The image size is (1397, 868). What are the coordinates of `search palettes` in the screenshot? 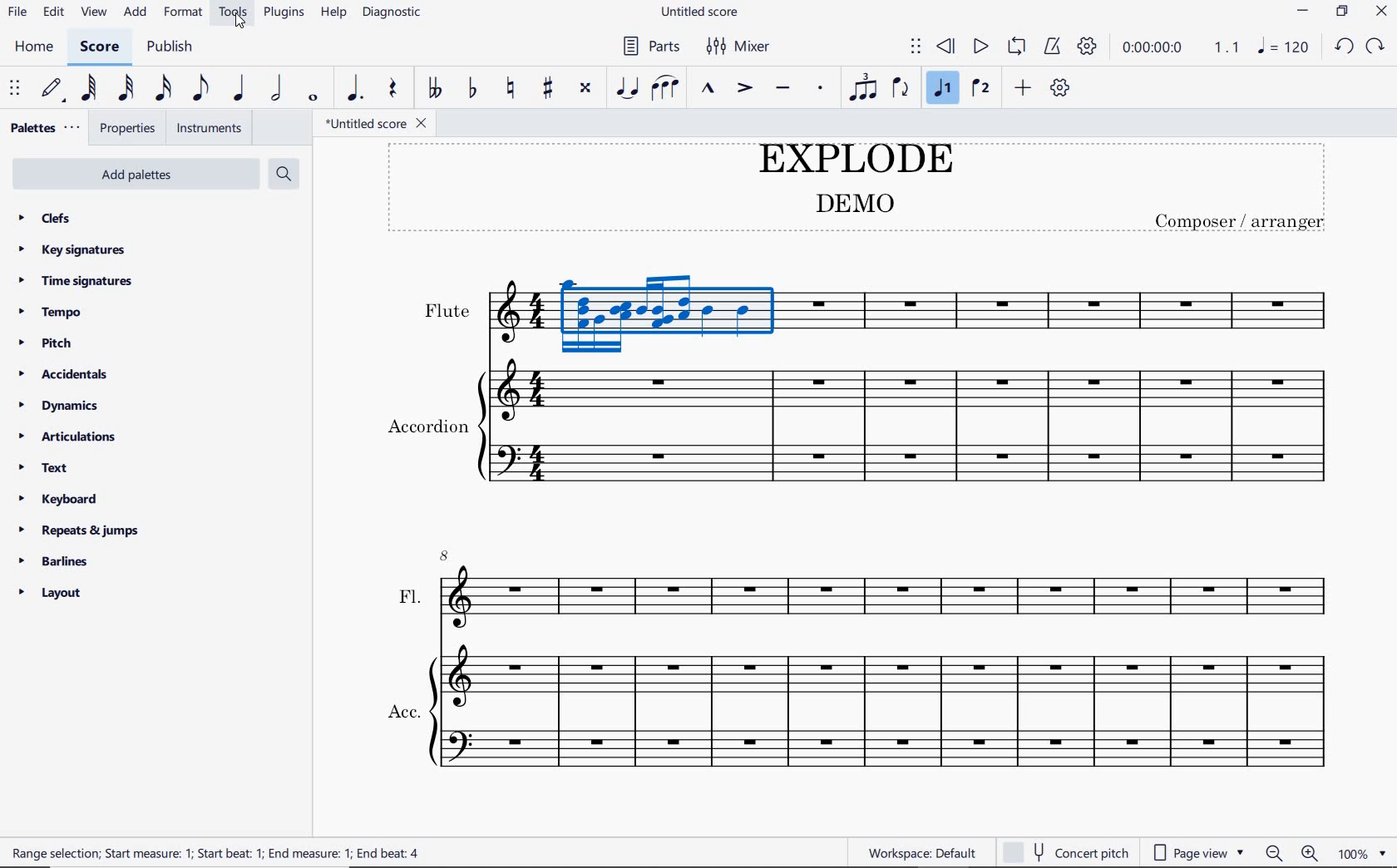 It's located at (284, 175).